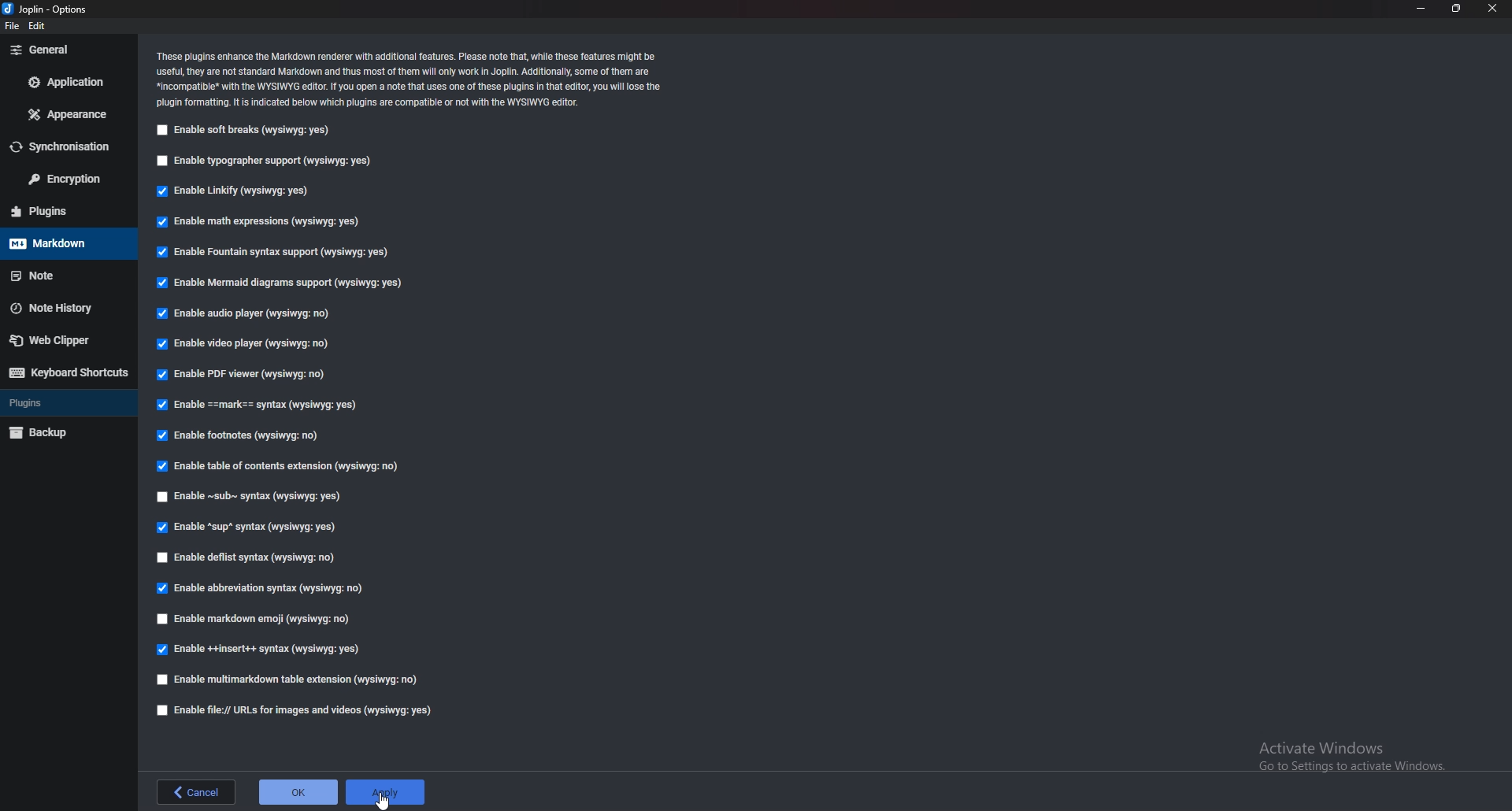 Image resolution: width=1512 pixels, height=811 pixels. What do you see at coordinates (388, 786) in the screenshot?
I see `apply` at bounding box center [388, 786].